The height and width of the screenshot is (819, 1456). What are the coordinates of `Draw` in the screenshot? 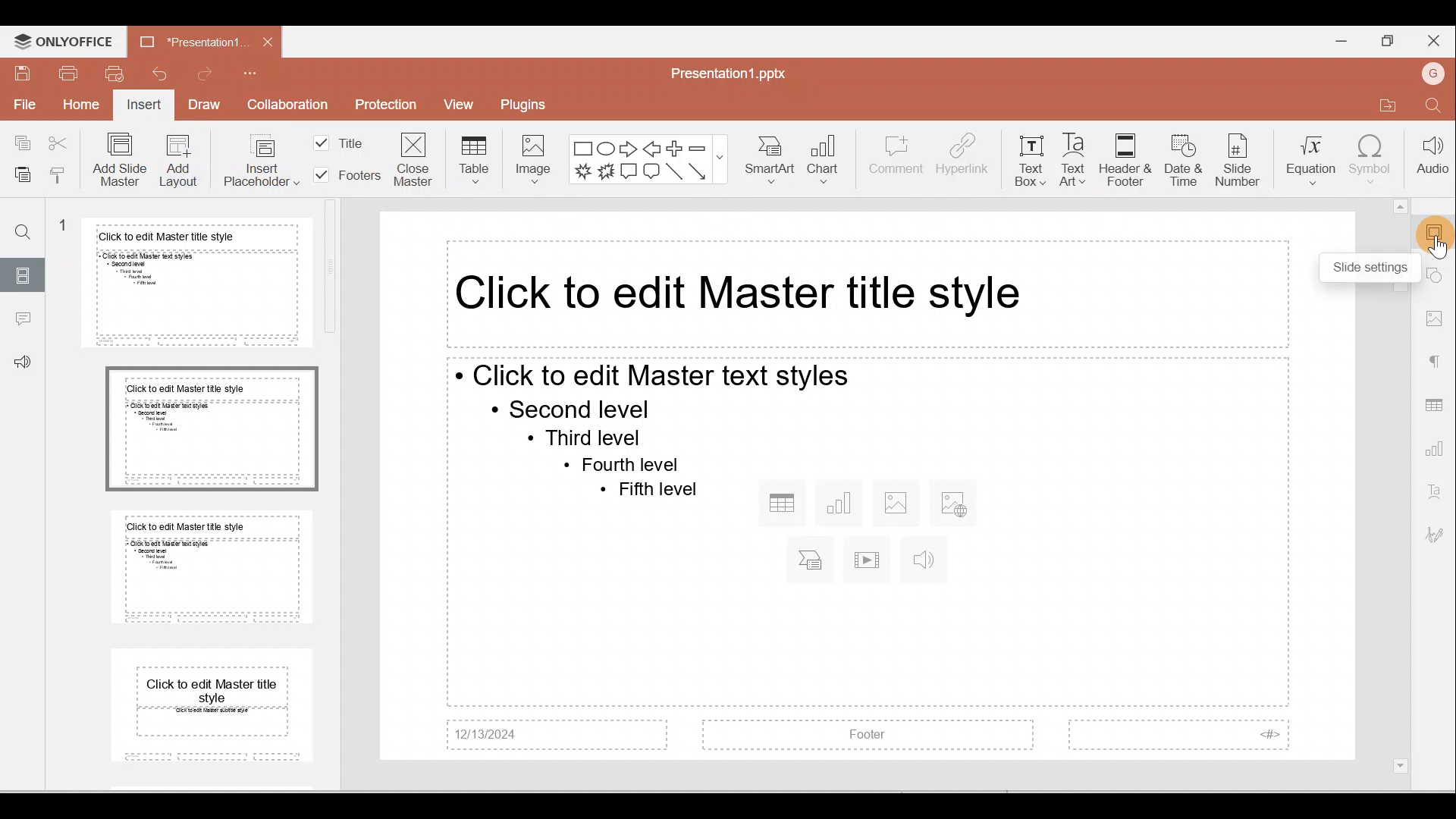 It's located at (206, 107).